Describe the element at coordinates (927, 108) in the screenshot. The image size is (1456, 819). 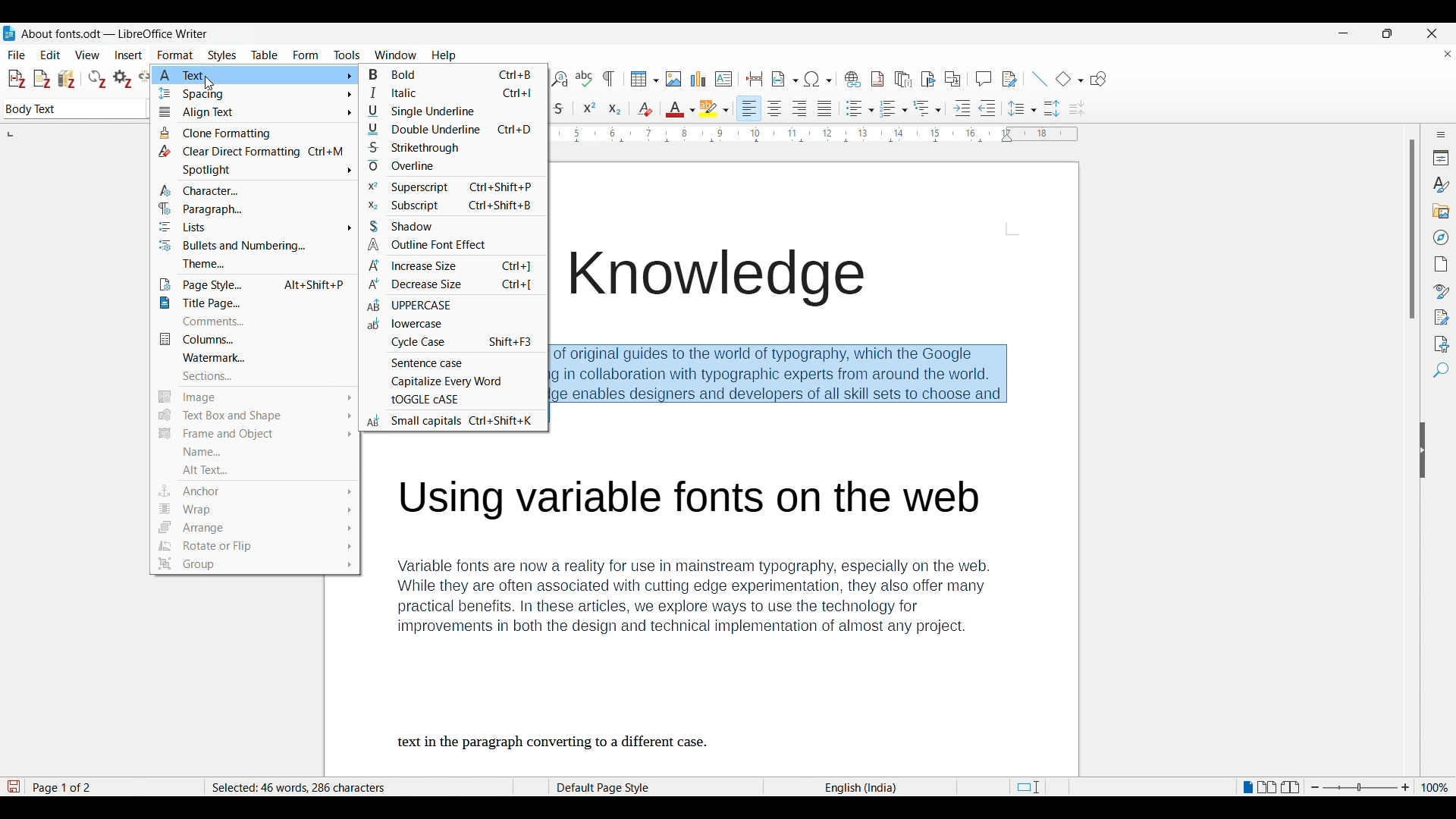
I see `Select outline format` at that location.